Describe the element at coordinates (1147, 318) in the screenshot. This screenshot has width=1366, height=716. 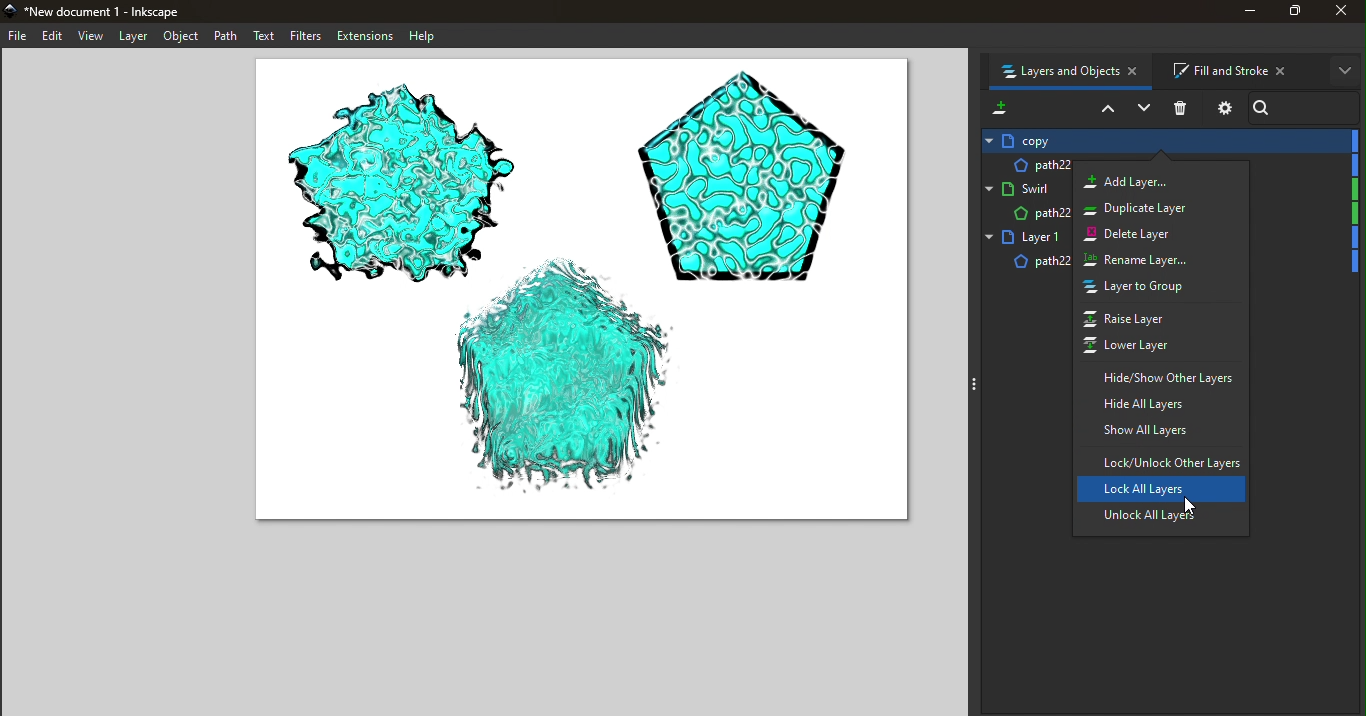
I see `Raise layer` at that location.